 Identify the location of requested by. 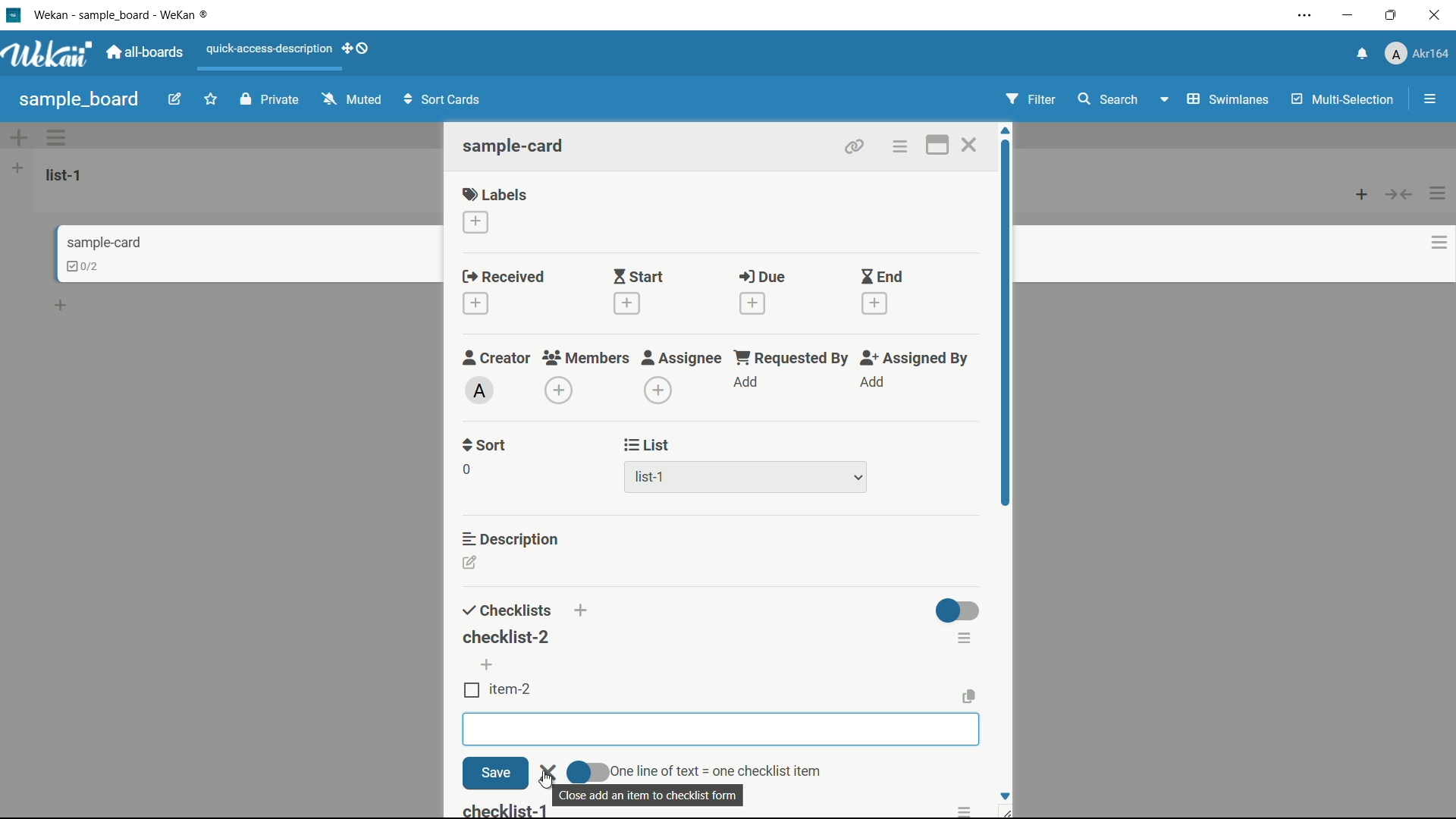
(792, 357).